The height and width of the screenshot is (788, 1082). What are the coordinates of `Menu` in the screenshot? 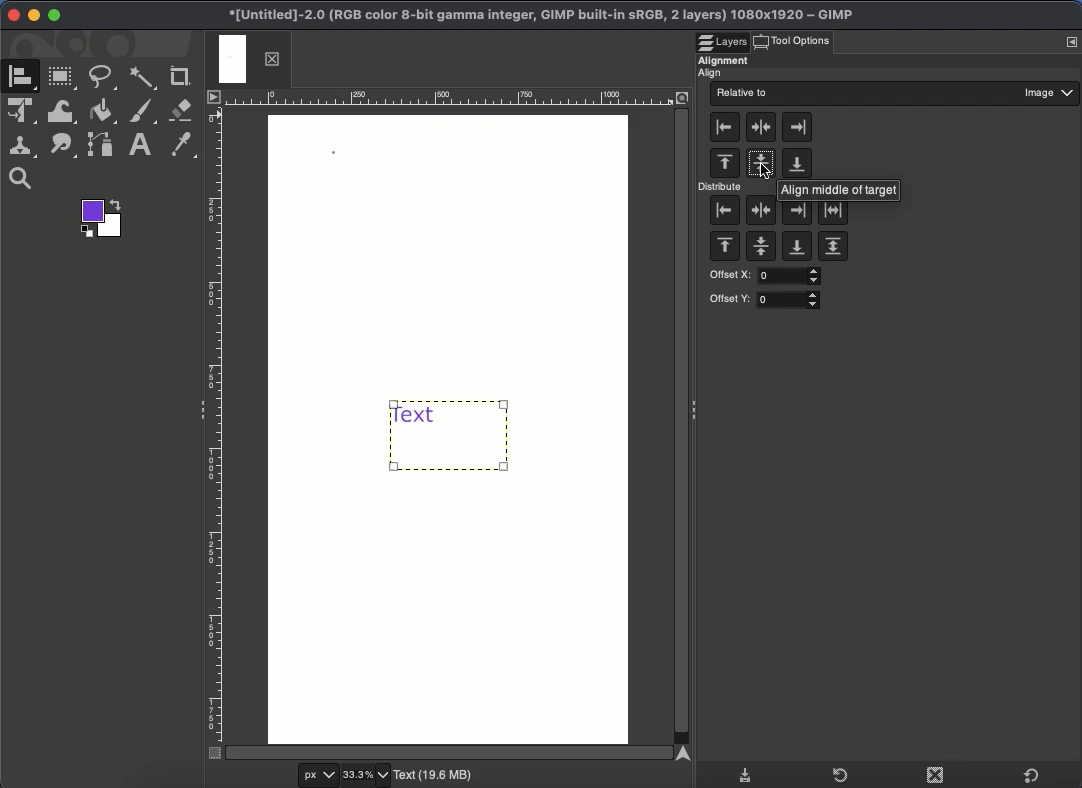 It's located at (212, 96).